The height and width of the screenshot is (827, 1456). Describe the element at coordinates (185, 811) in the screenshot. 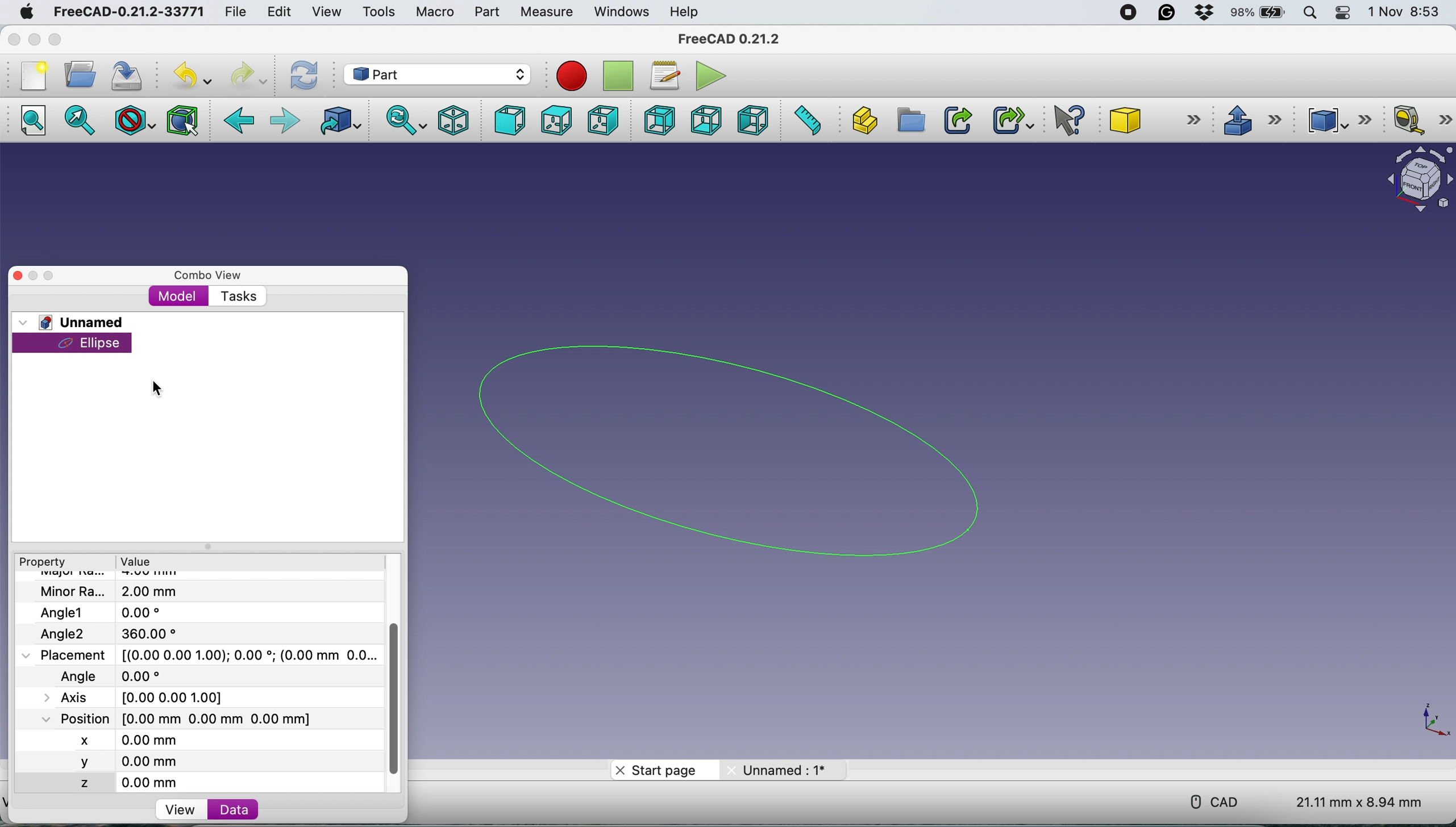

I see `view` at that location.